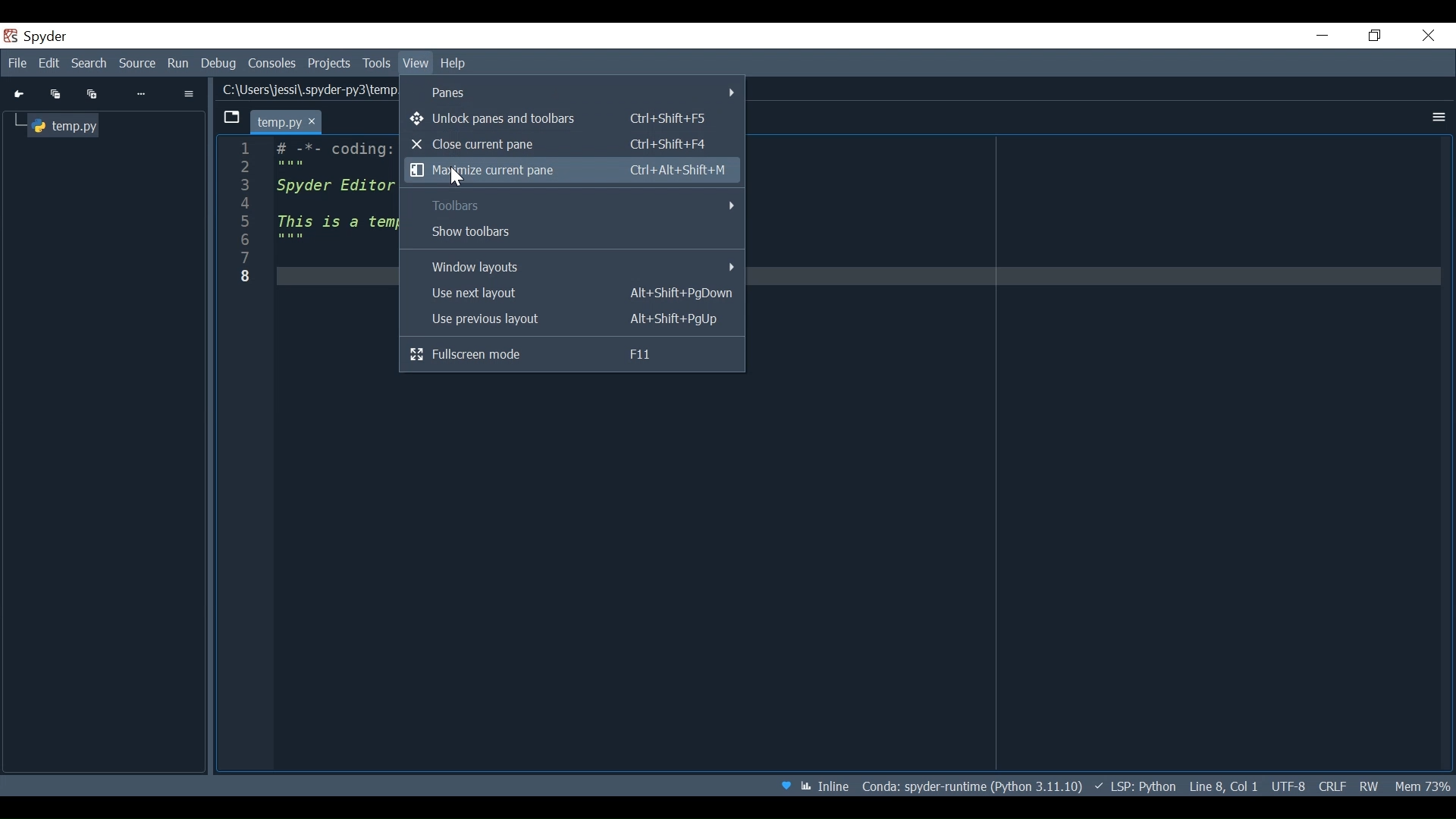 The width and height of the screenshot is (1456, 819). I want to click on Close current pane, so click(573, 145).